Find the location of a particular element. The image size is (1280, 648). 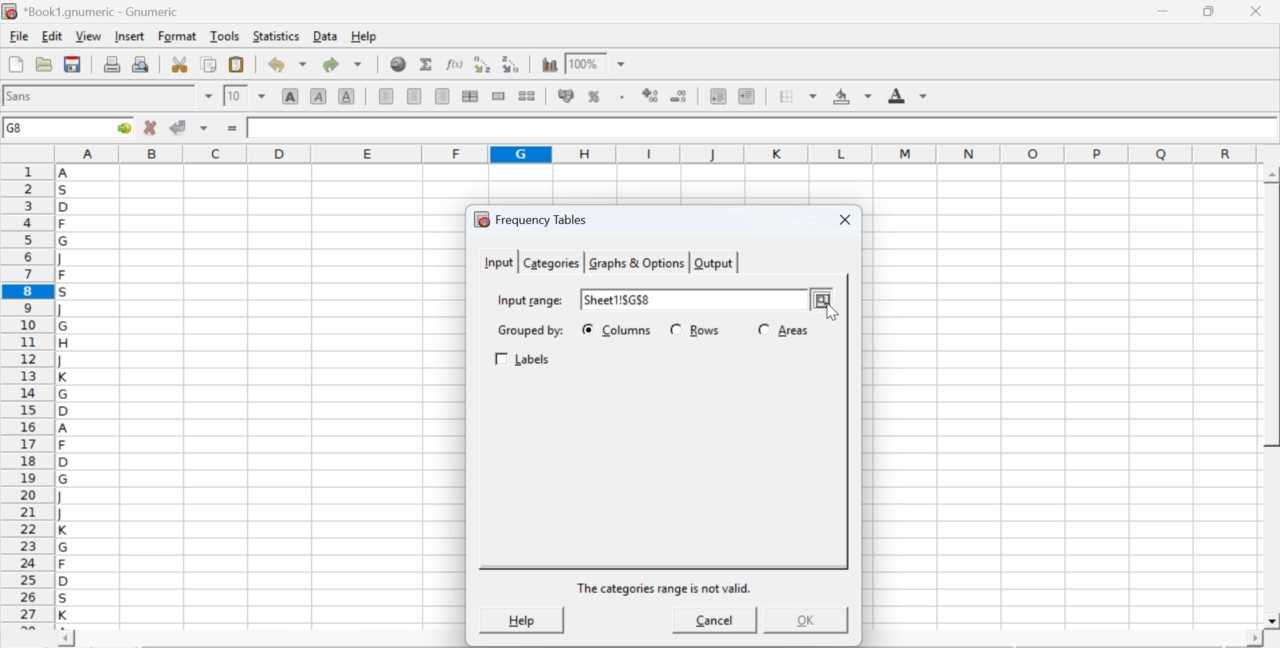

G8 is located at coordinates (17, 128).